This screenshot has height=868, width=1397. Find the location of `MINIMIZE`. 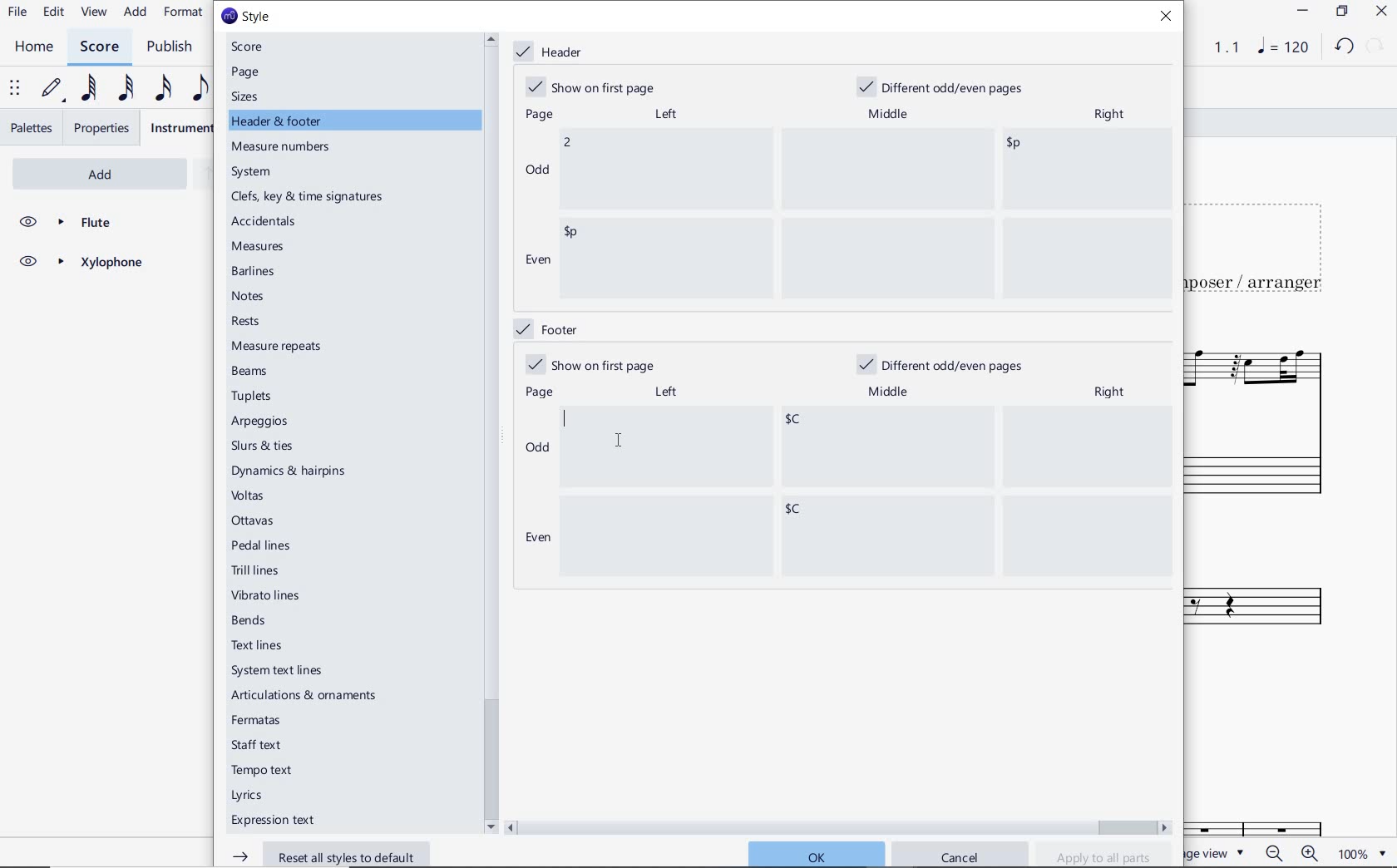

MINIMIZE is located at coordinates (1301, 11).